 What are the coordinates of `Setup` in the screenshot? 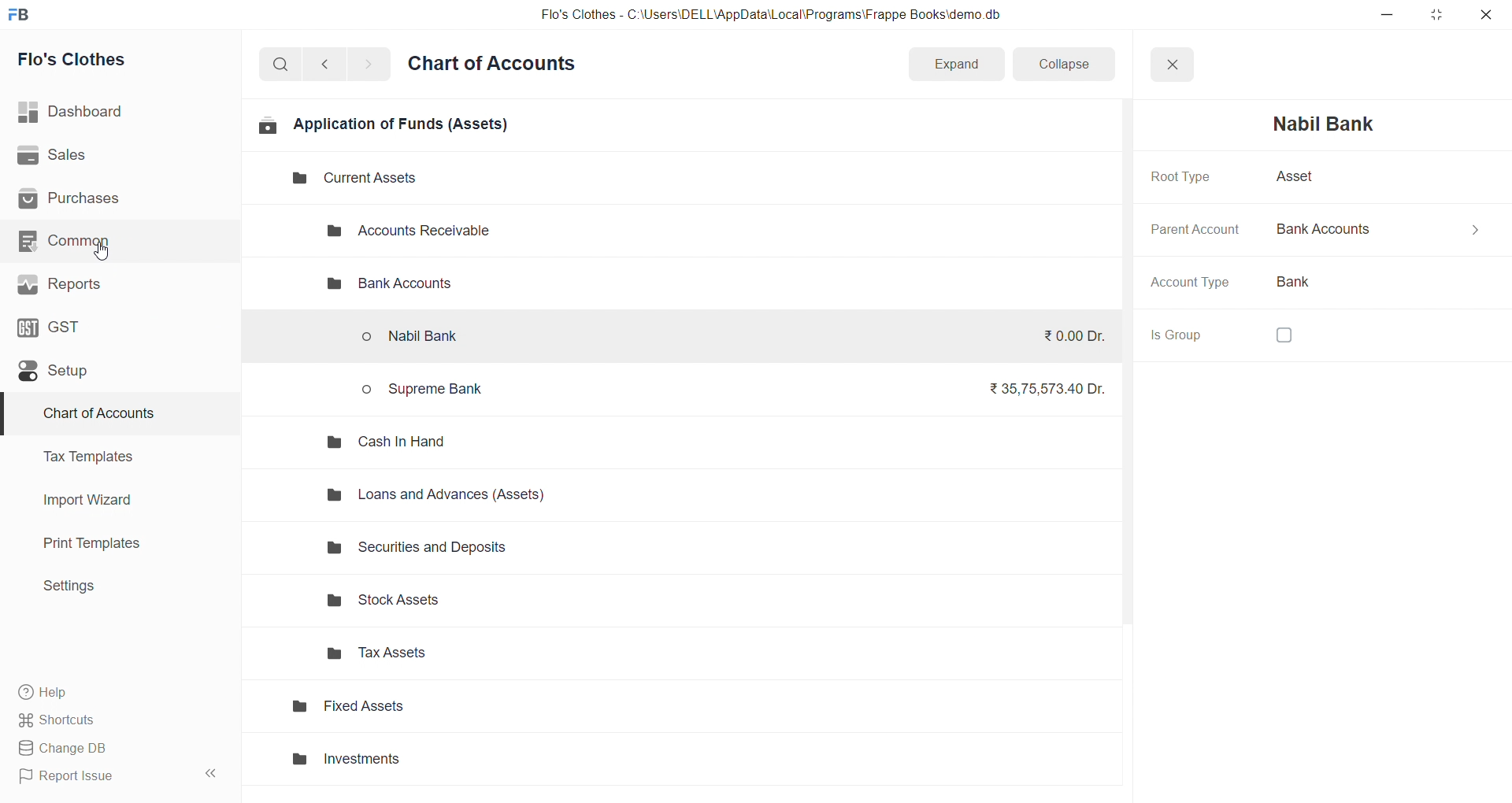 It's located at (113, 370).